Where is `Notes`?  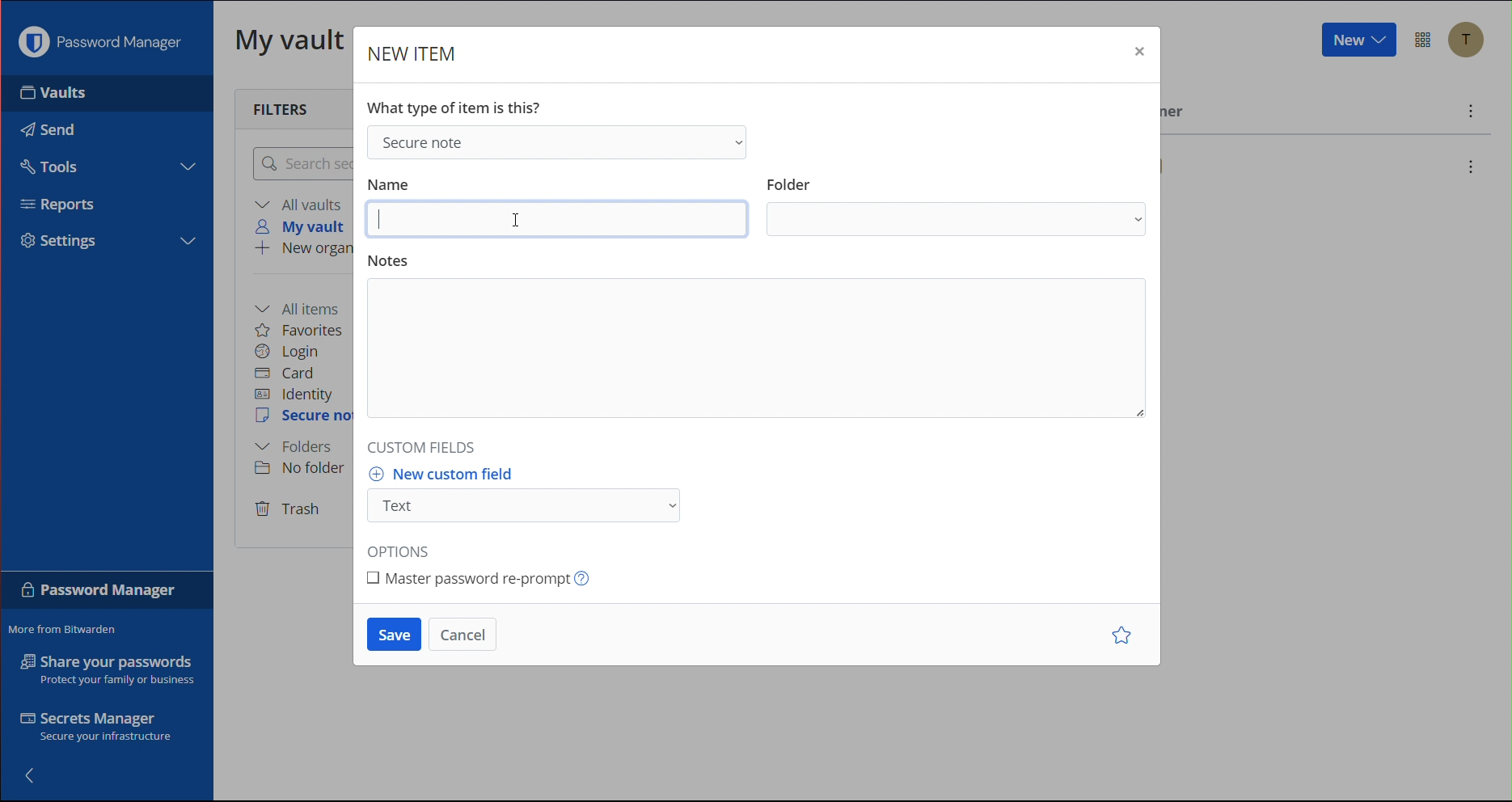 Notes is located at coordinates (756, 347).